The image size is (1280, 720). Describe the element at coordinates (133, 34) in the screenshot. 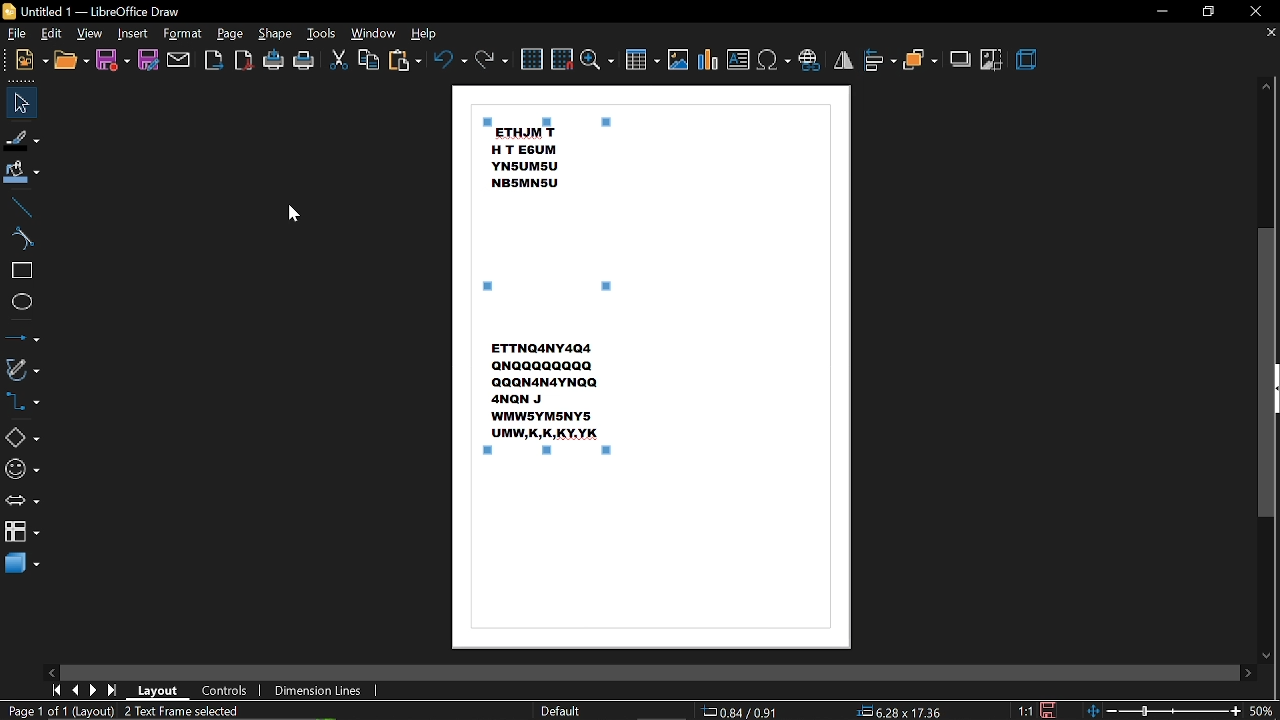

I see `insert` at that location.